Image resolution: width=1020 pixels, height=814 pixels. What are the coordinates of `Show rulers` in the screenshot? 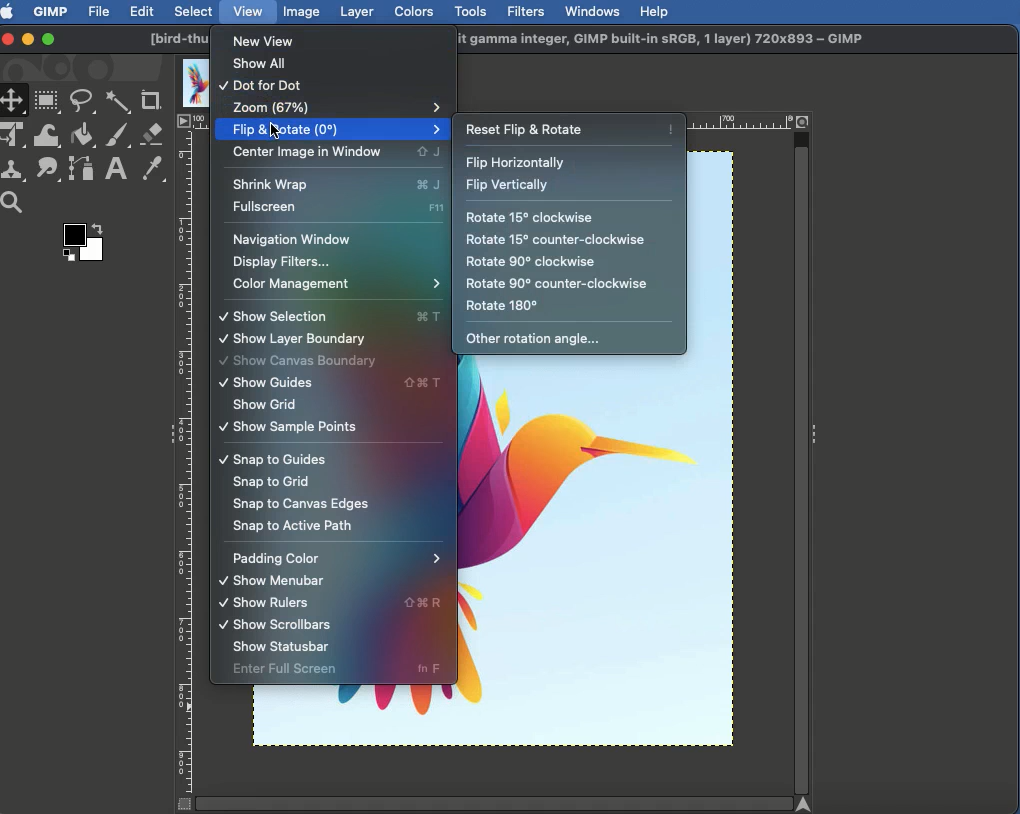 It's located at (285, 605).